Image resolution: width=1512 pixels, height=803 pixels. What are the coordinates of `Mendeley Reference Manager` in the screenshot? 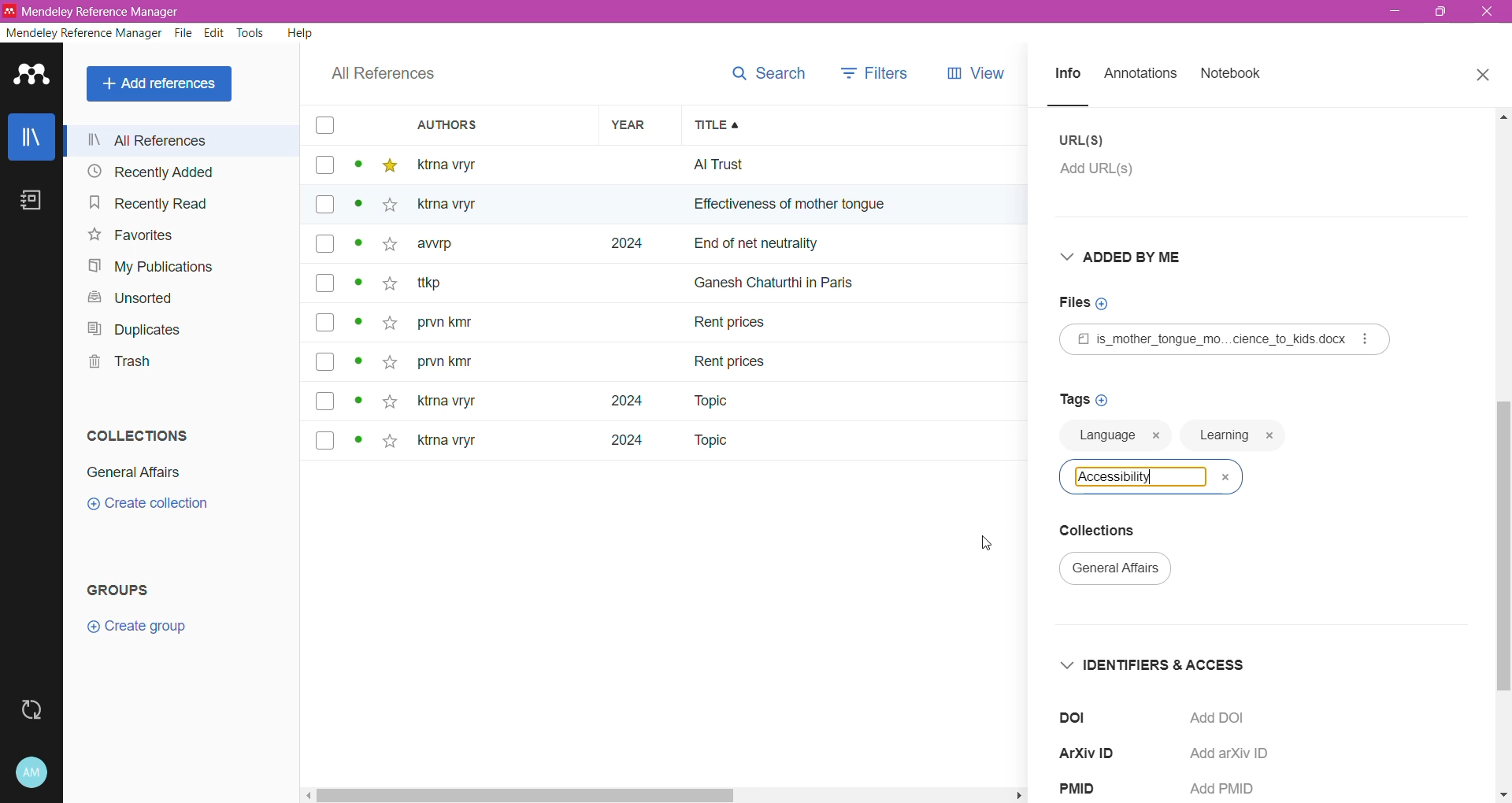 It's located at (83, 33).